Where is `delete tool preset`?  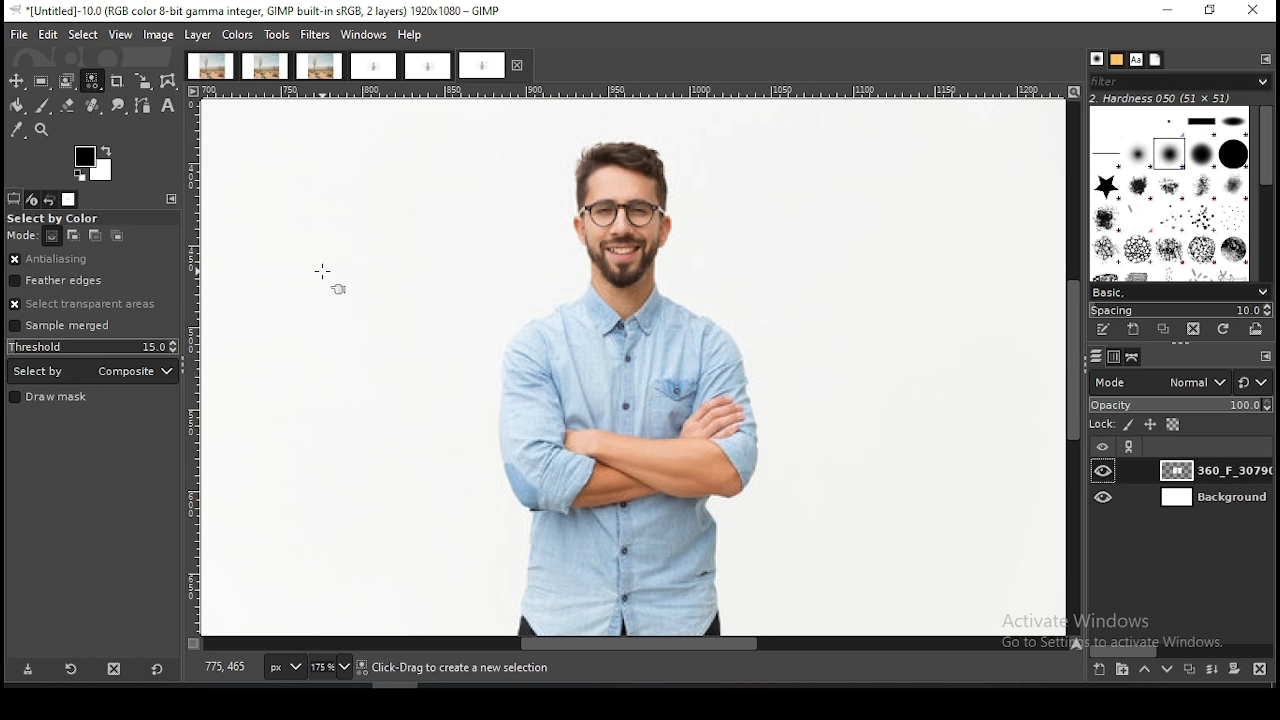
delete tool preset is located at coordinates (116, 667).